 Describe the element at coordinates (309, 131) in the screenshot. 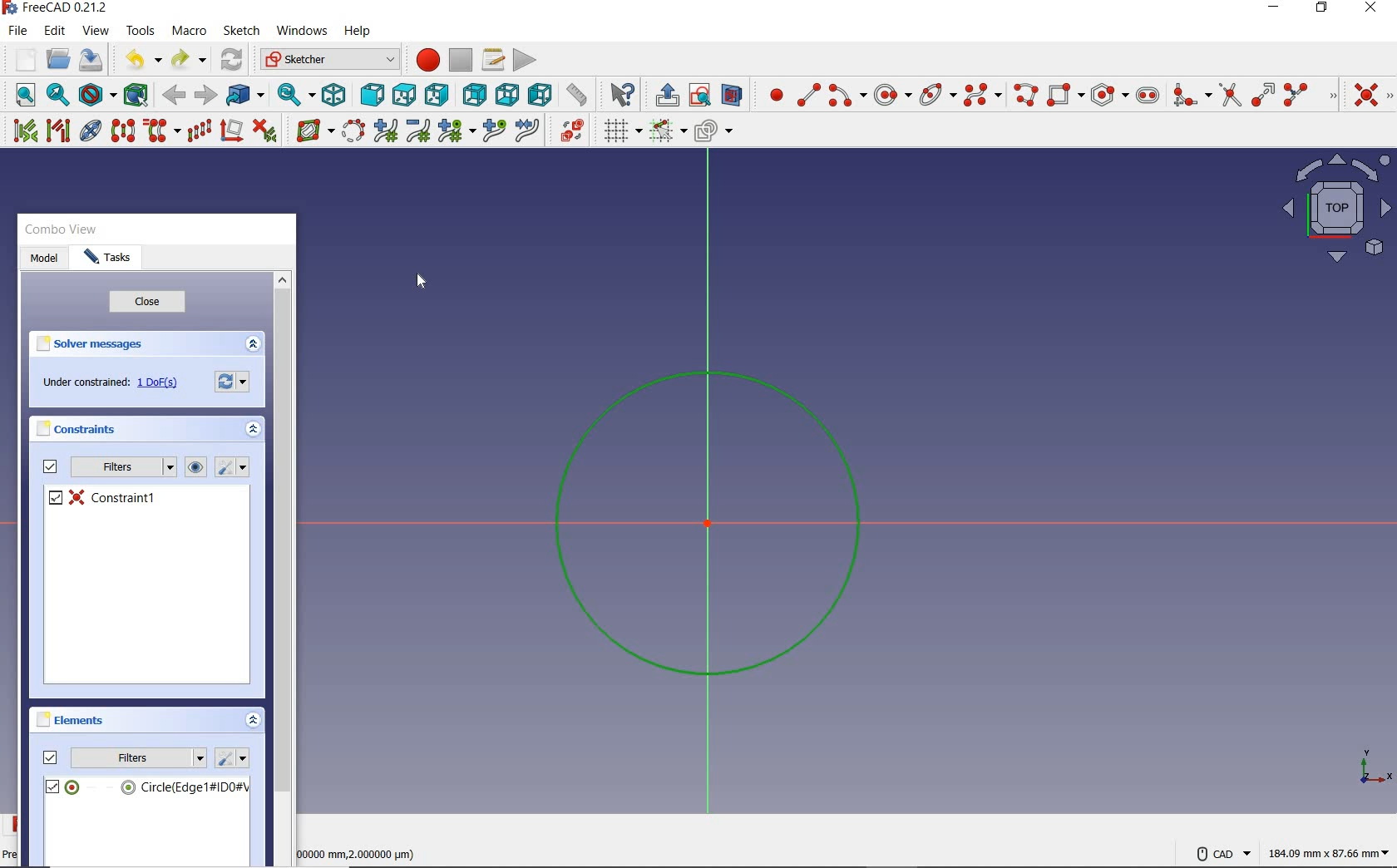

I see `` at that location.